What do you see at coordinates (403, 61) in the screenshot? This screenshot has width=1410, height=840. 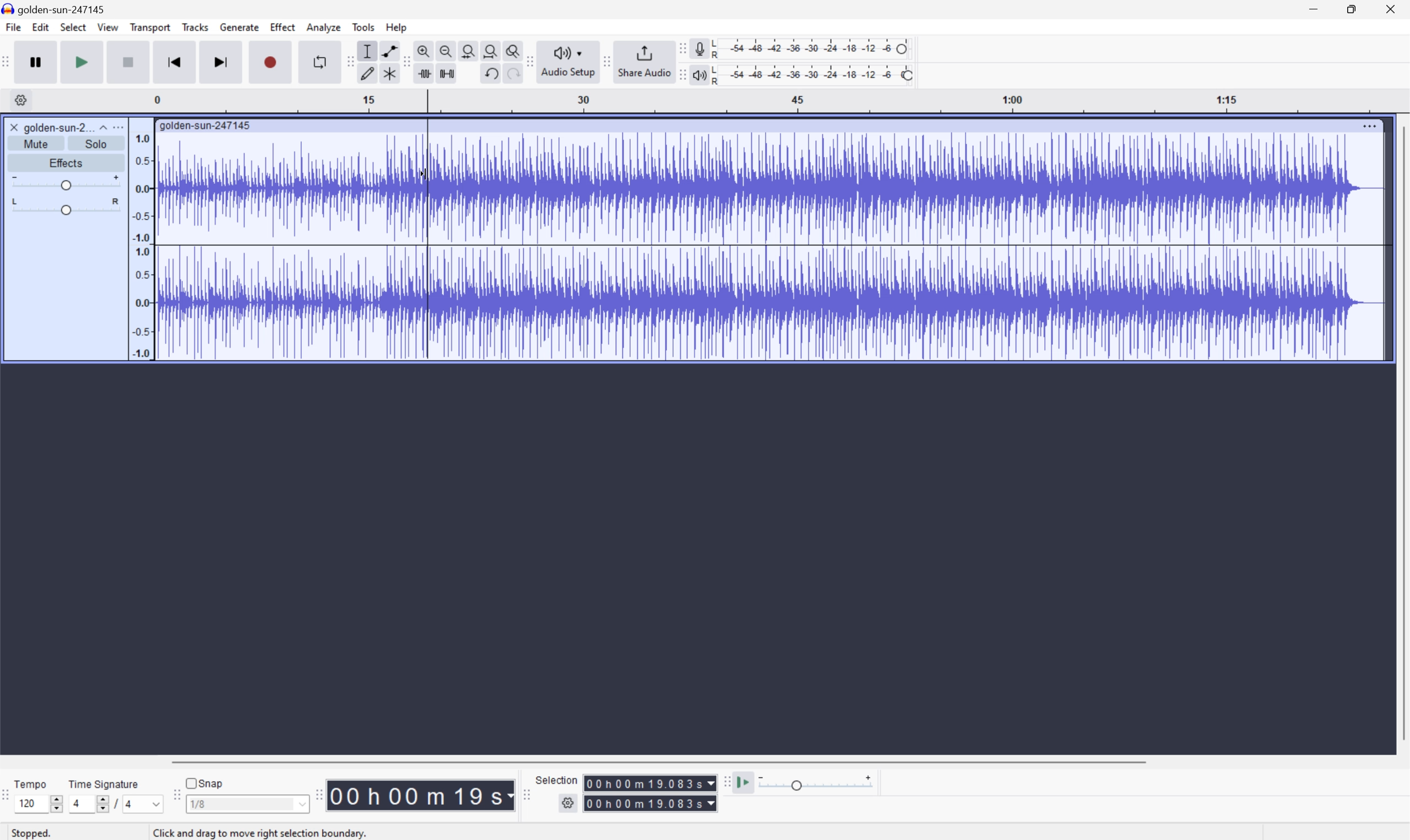 I see `Audacity tools toolbar` at bounding box center [403, 61].